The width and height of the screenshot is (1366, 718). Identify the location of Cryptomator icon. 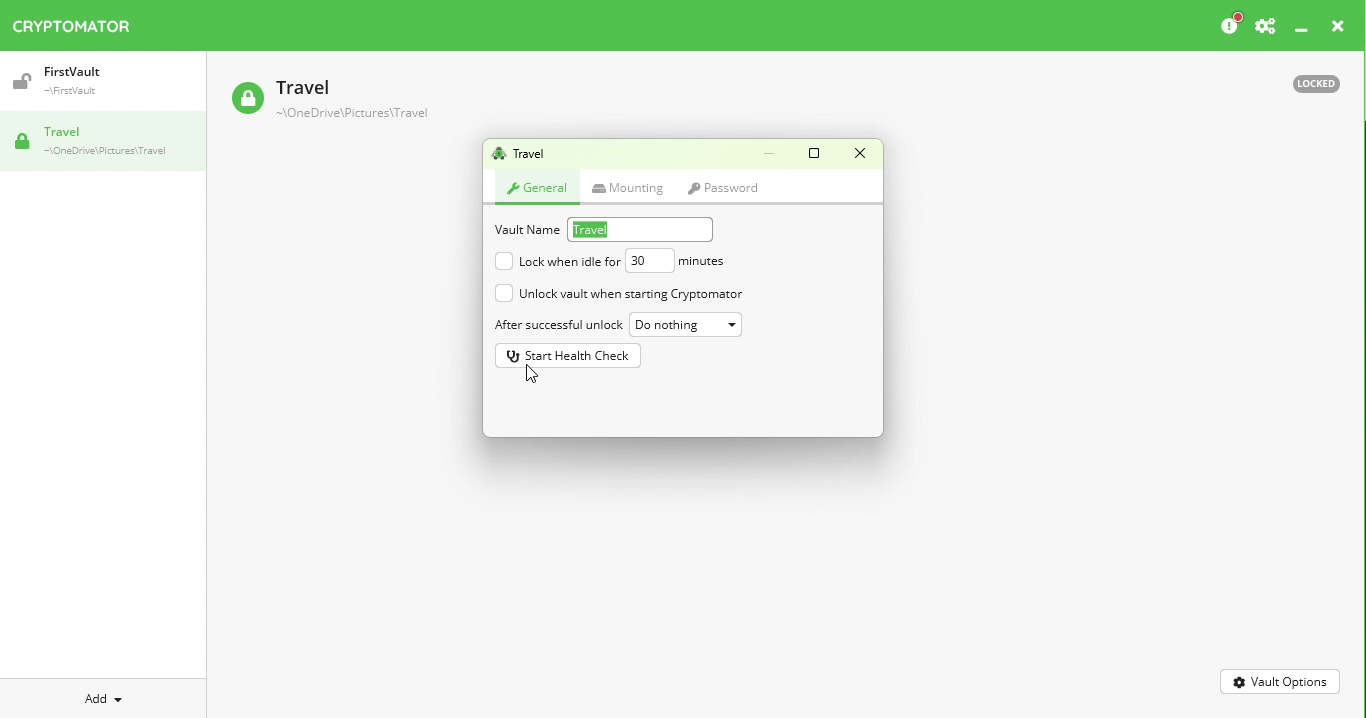
(82, 22).